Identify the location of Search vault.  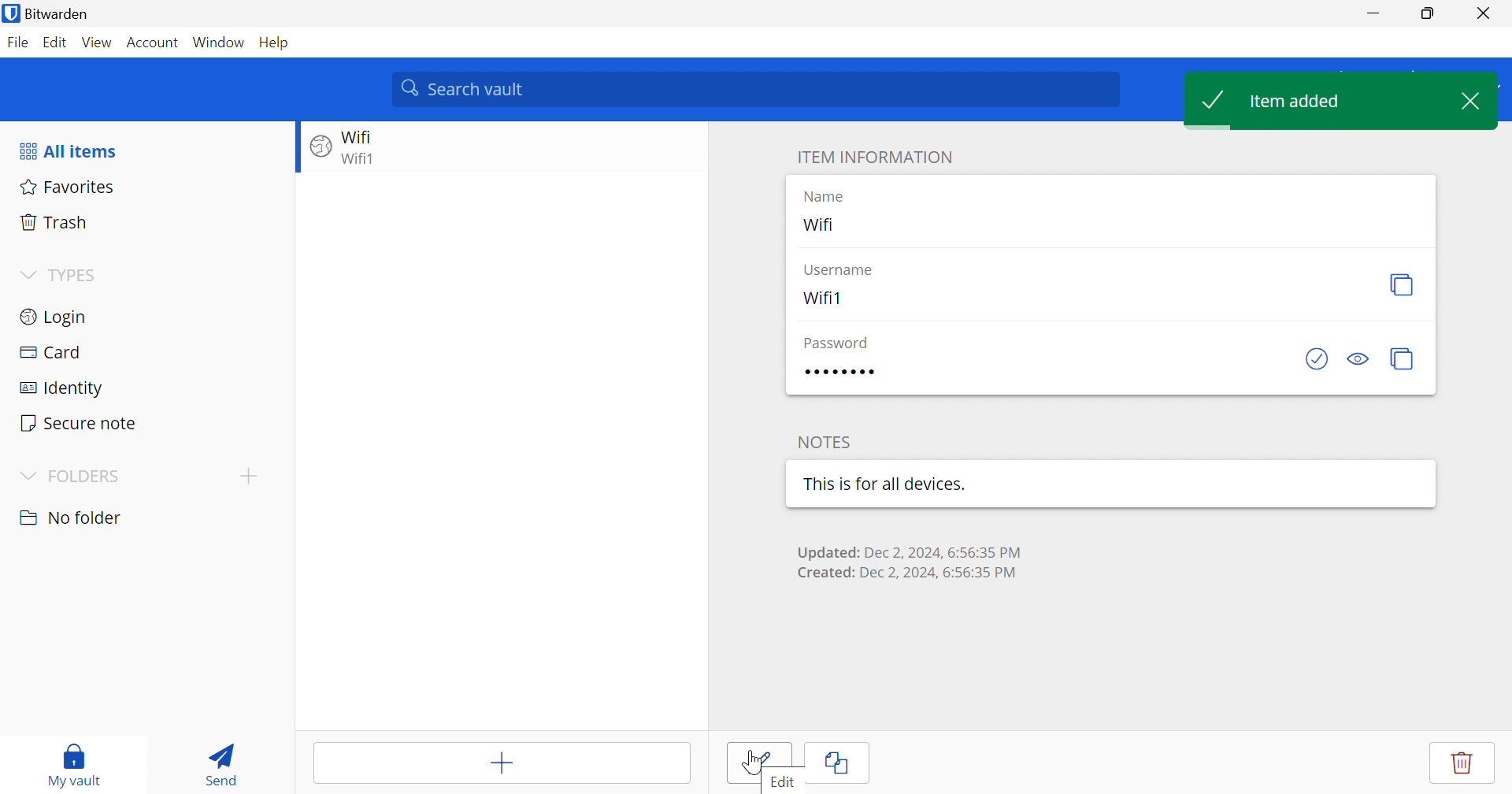
(754, 89).